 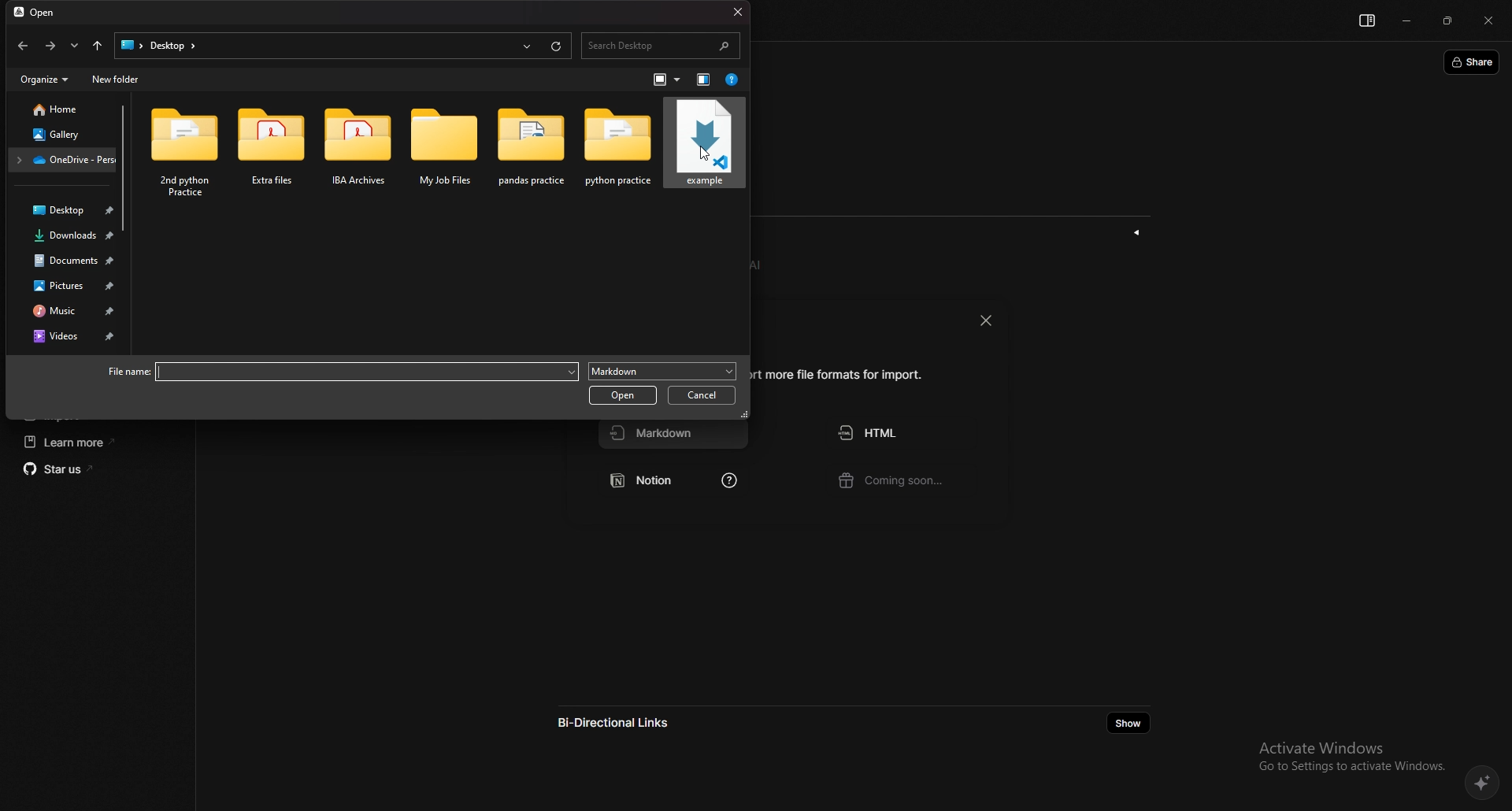 I want to click on music, so click(x=64, y=309).